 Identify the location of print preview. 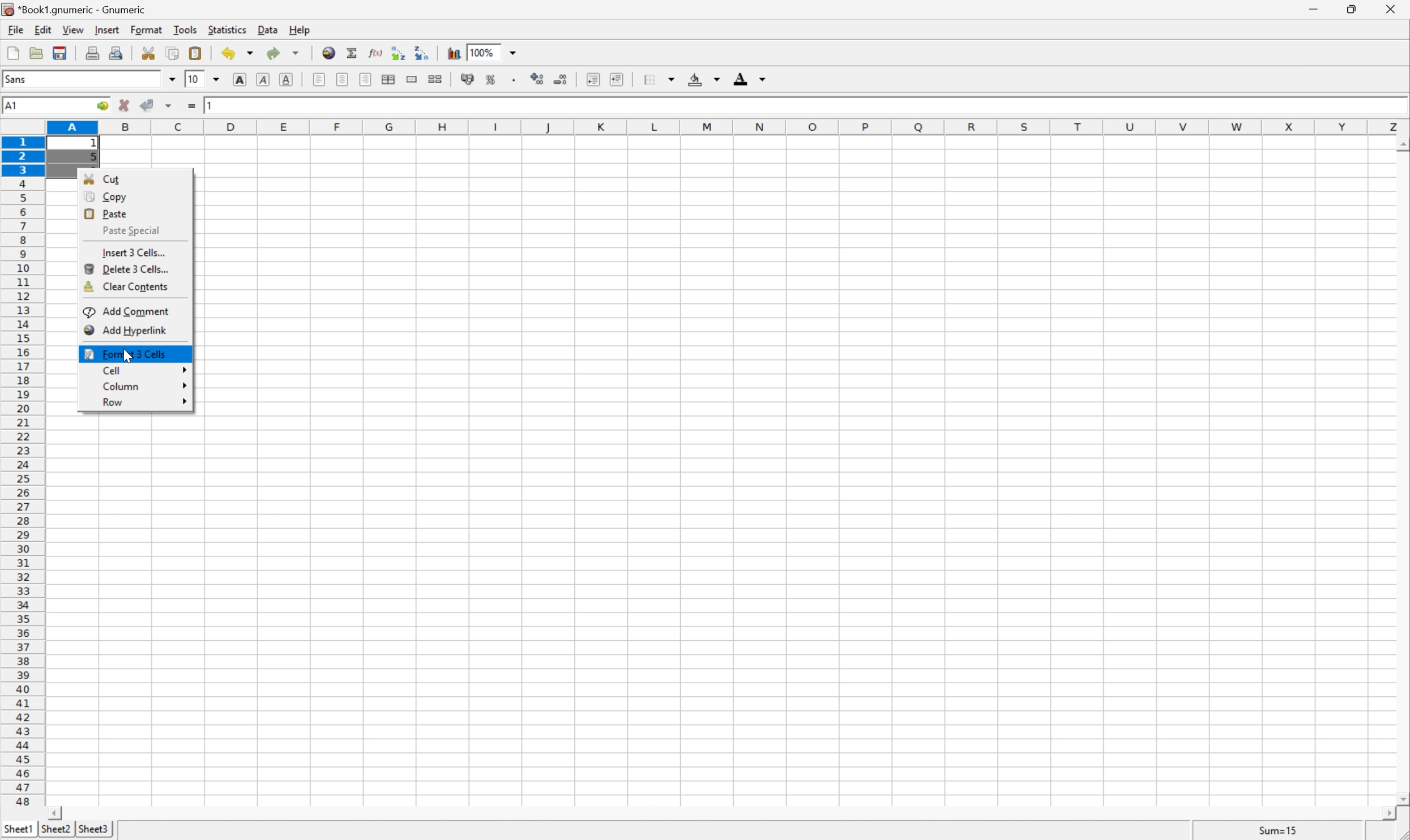
(116, 52).